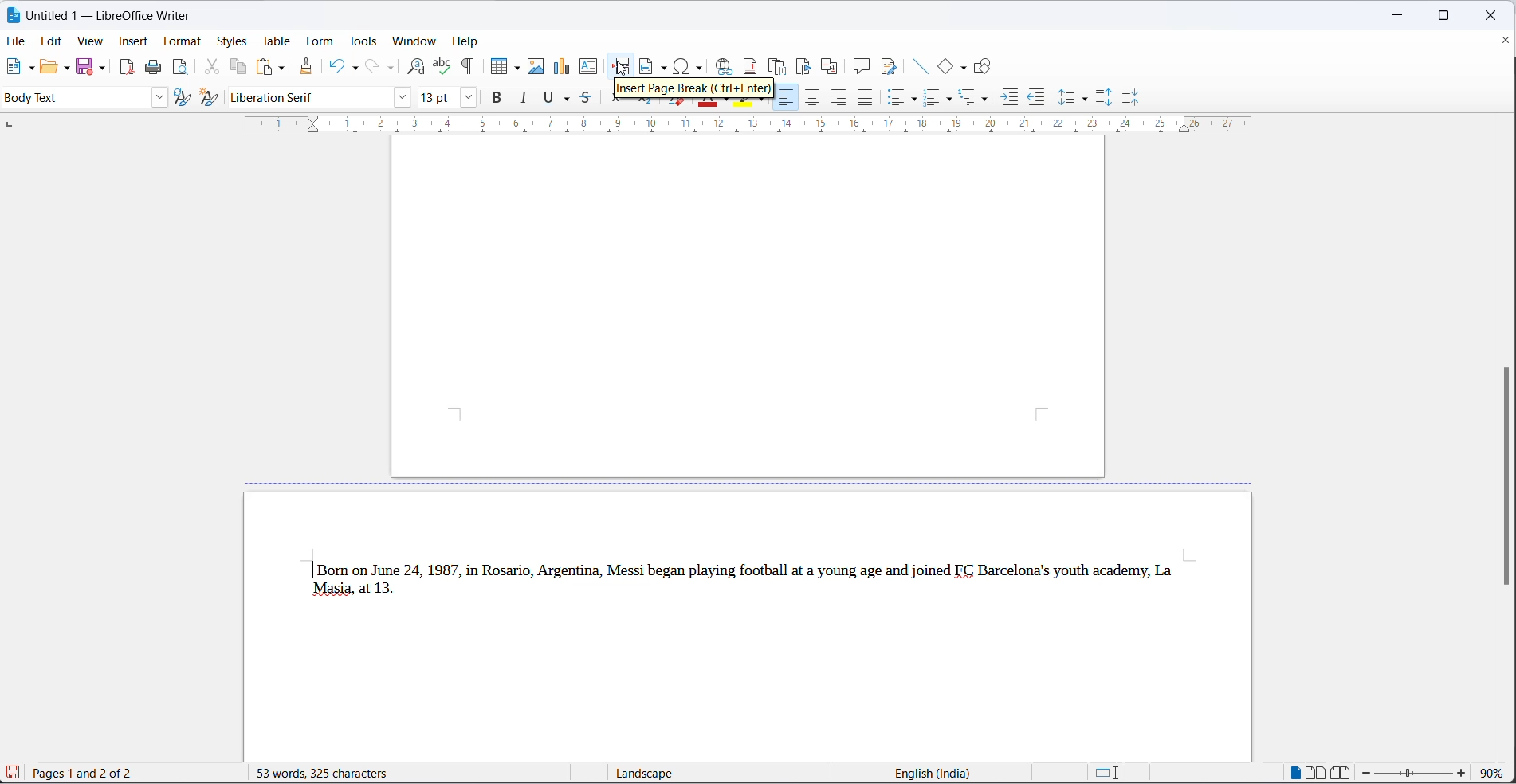  I want to click on page, so click(744, 312).